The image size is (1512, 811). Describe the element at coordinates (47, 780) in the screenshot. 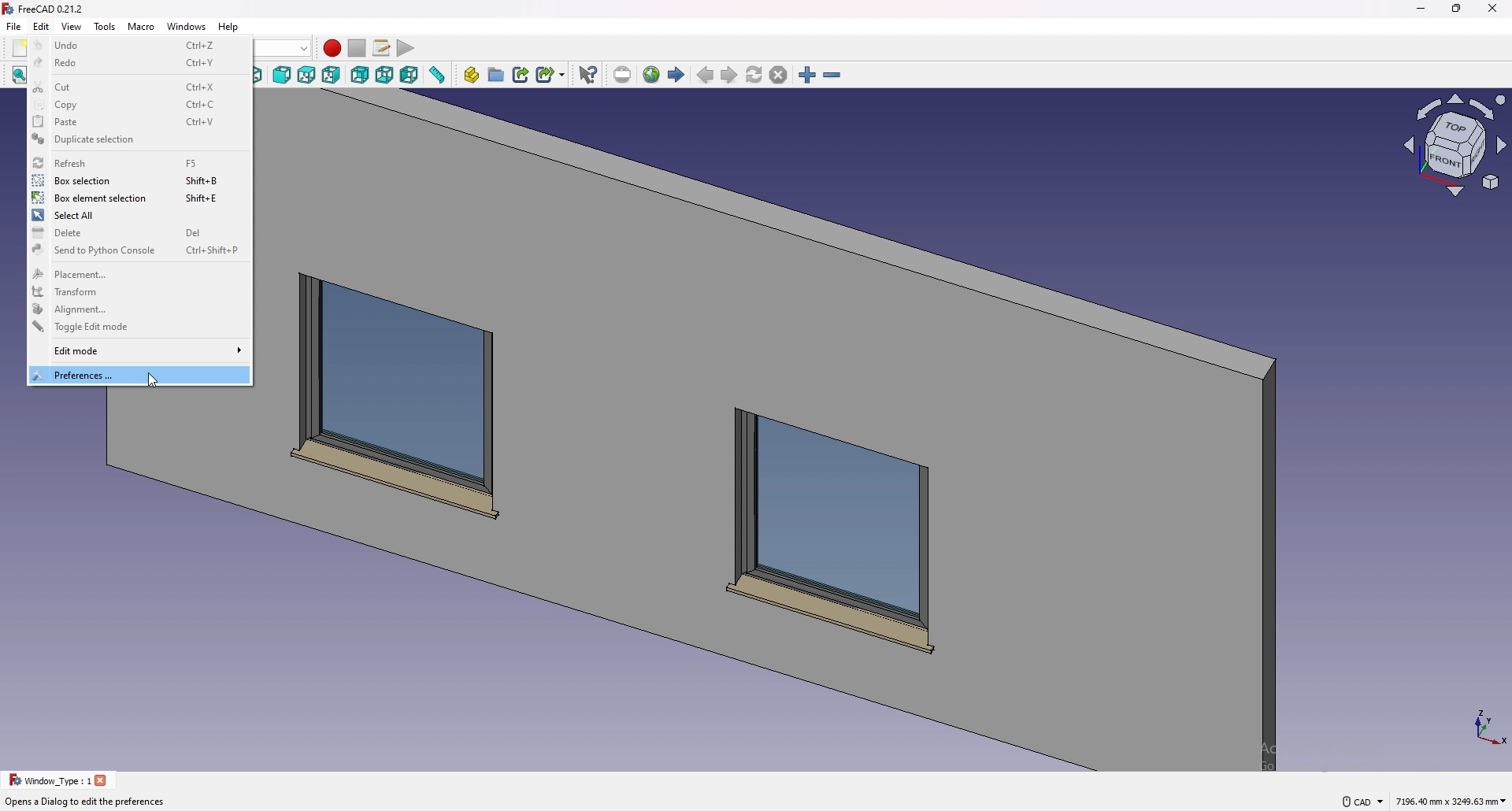

I see `Window _Type : 1` at that location.